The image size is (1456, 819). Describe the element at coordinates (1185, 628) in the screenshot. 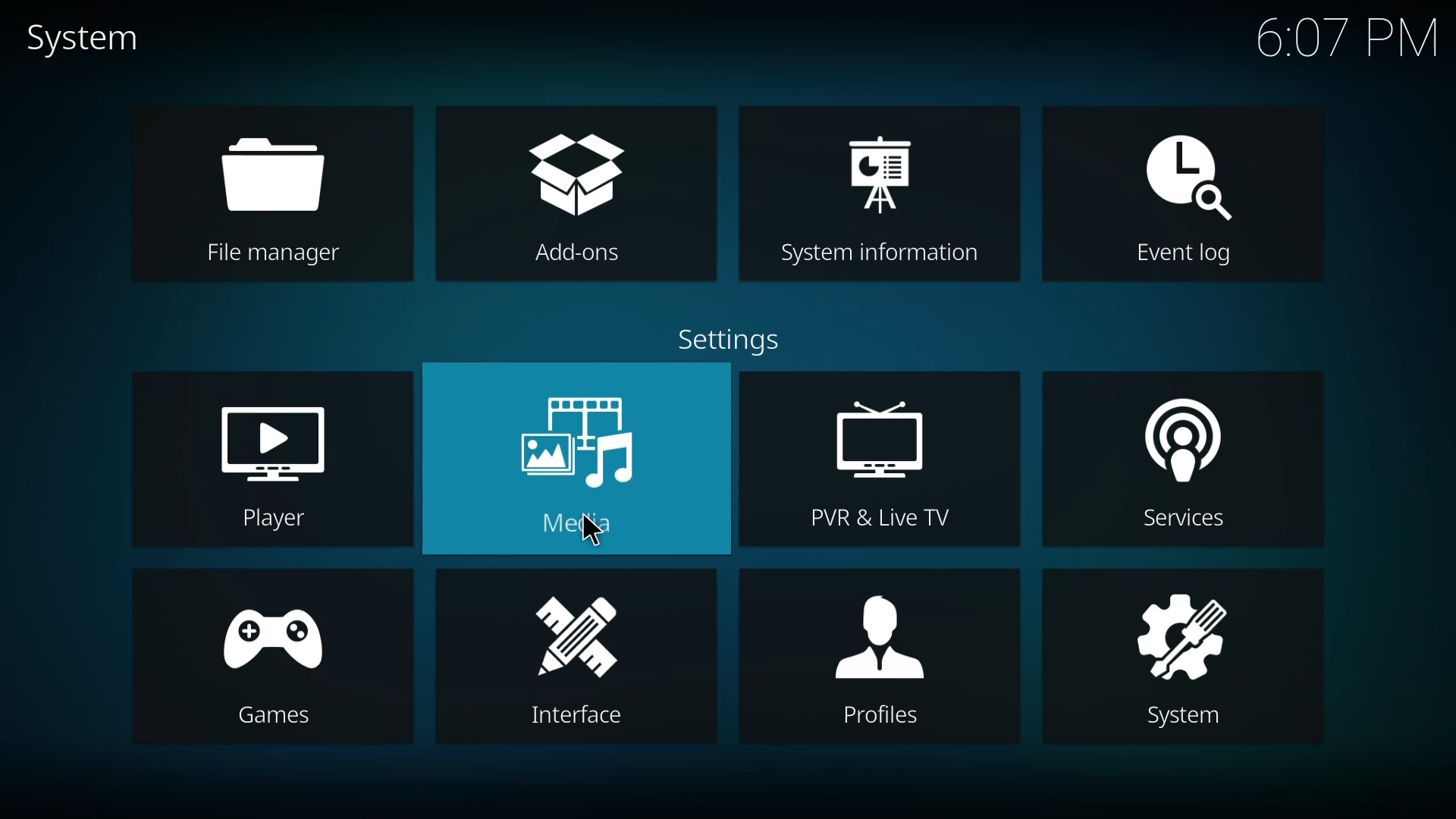

I see `system` at that location.